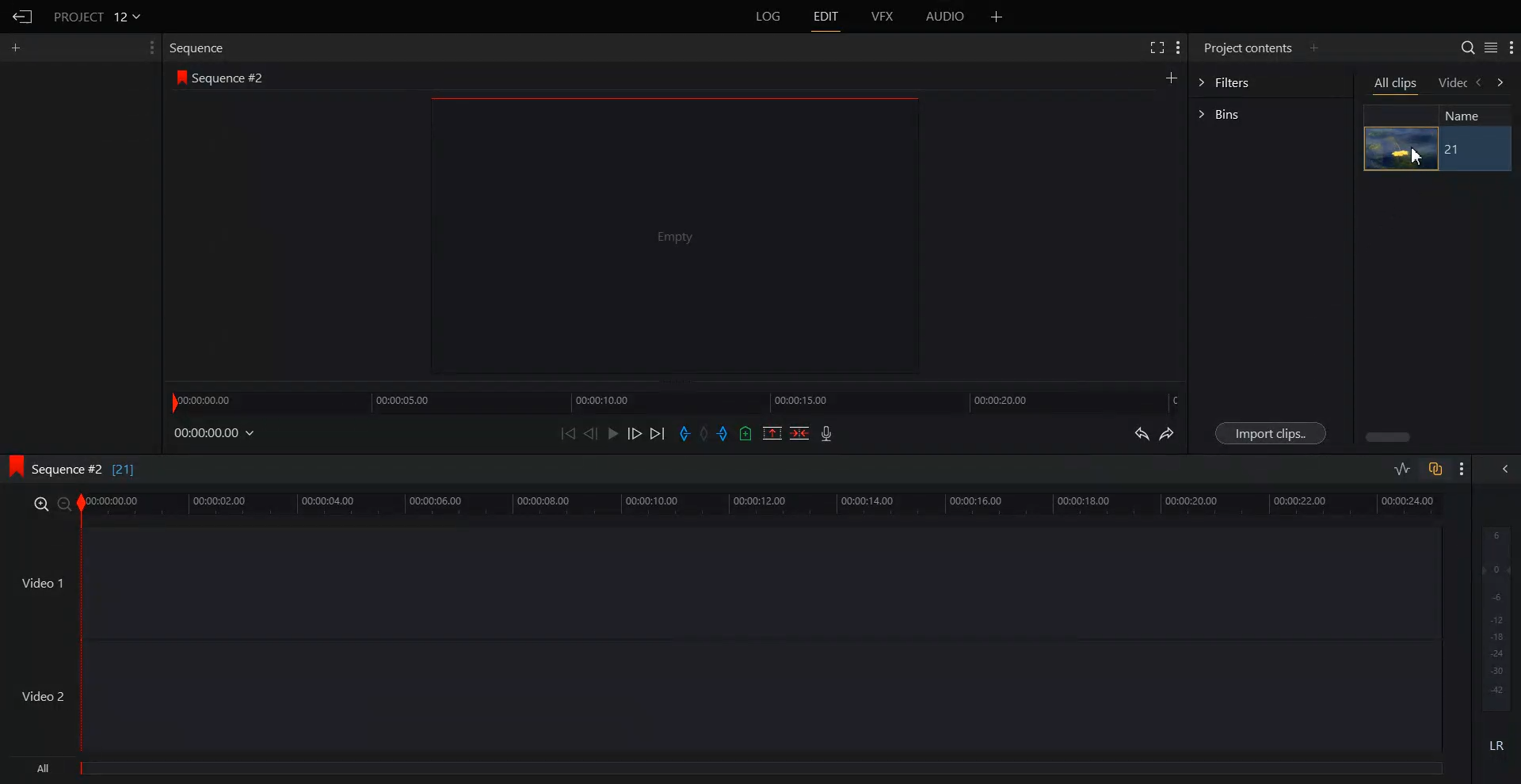 The height and width of the screenshot is (784, 1521). What do you see at coordinates (731, 771) in the screenshot?
I see `All` at bounding box center [731, 771].